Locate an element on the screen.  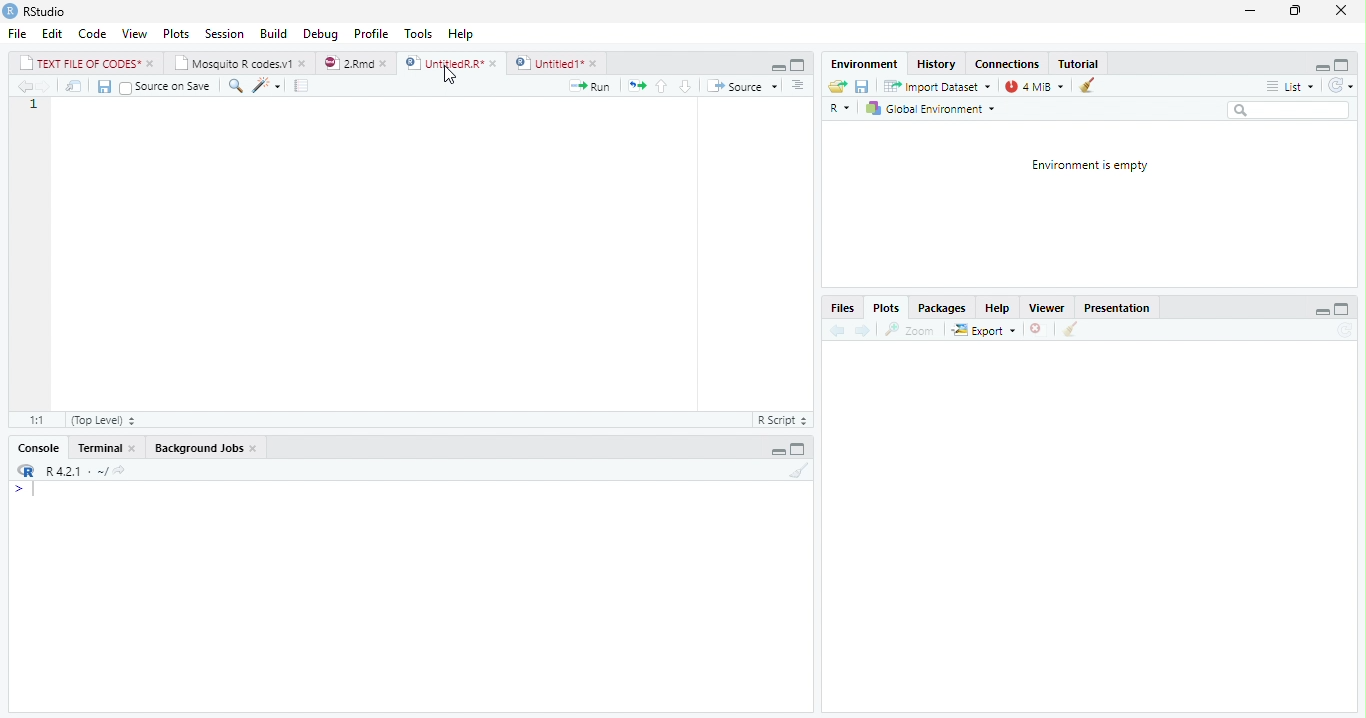
clear current plot is located at coordinates (1034, 330).